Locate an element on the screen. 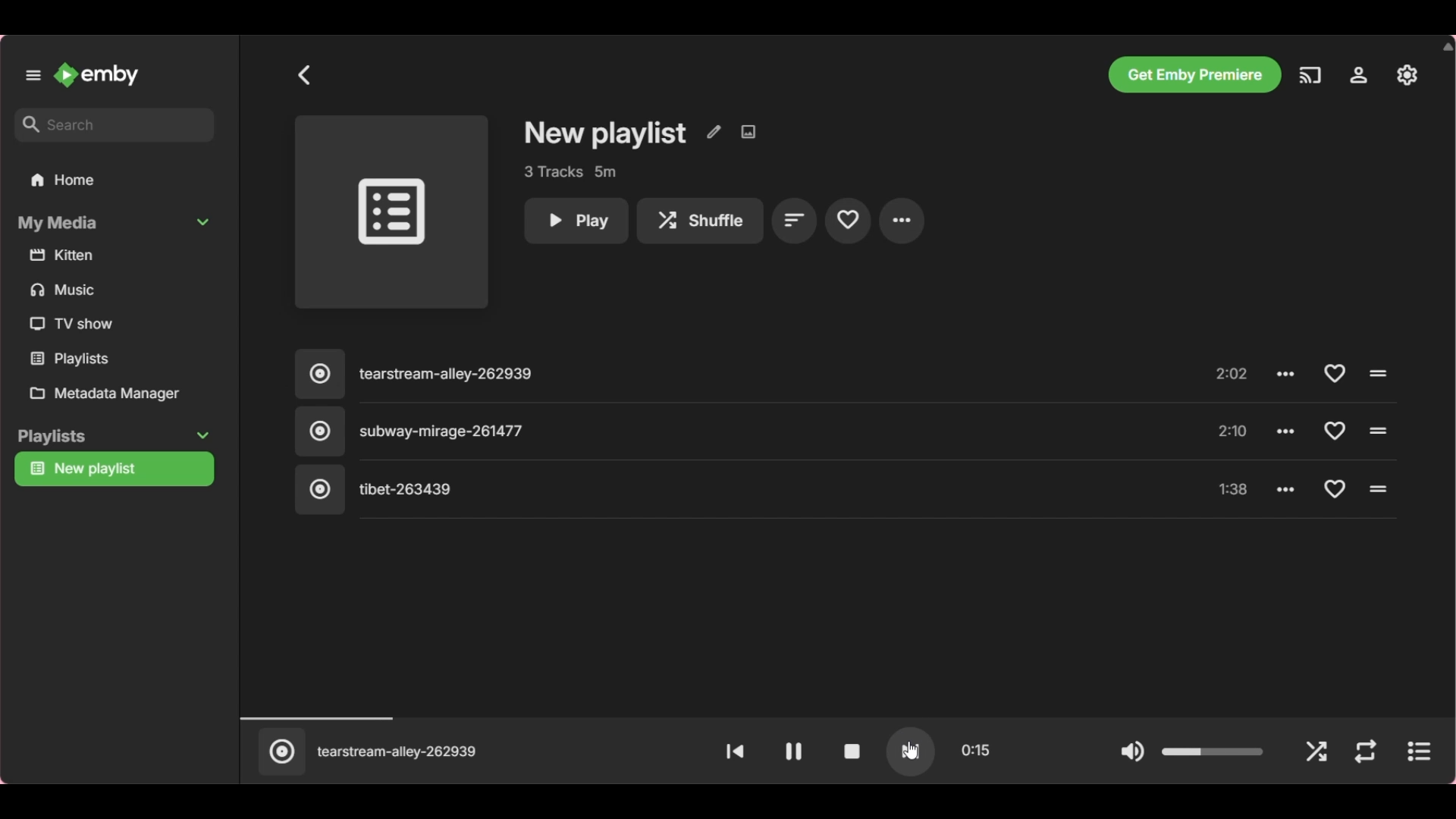  Add to favorite is located at coordinates (1335, 490).